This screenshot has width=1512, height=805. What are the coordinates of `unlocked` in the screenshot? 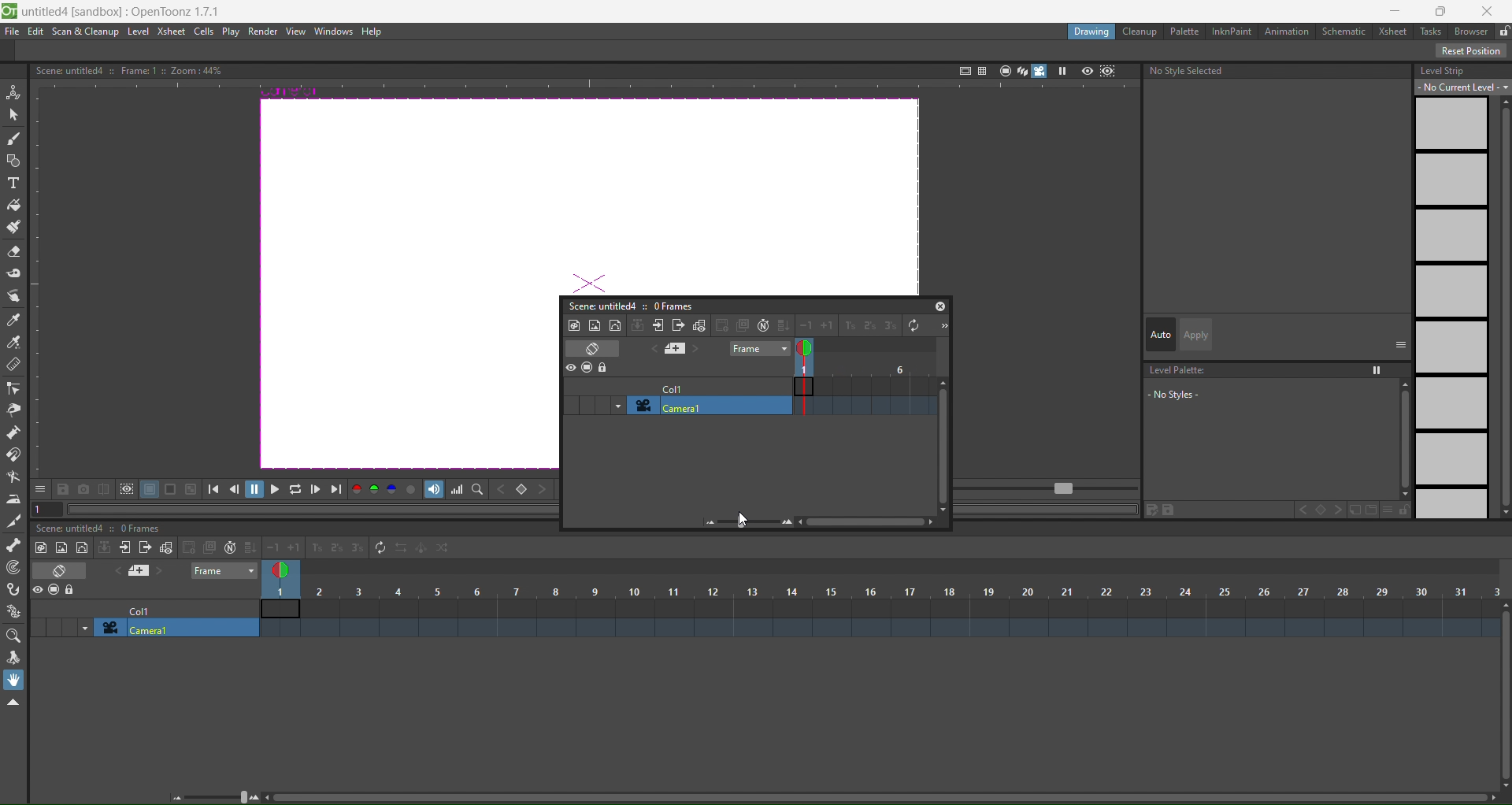 It's located at (1503, 29).